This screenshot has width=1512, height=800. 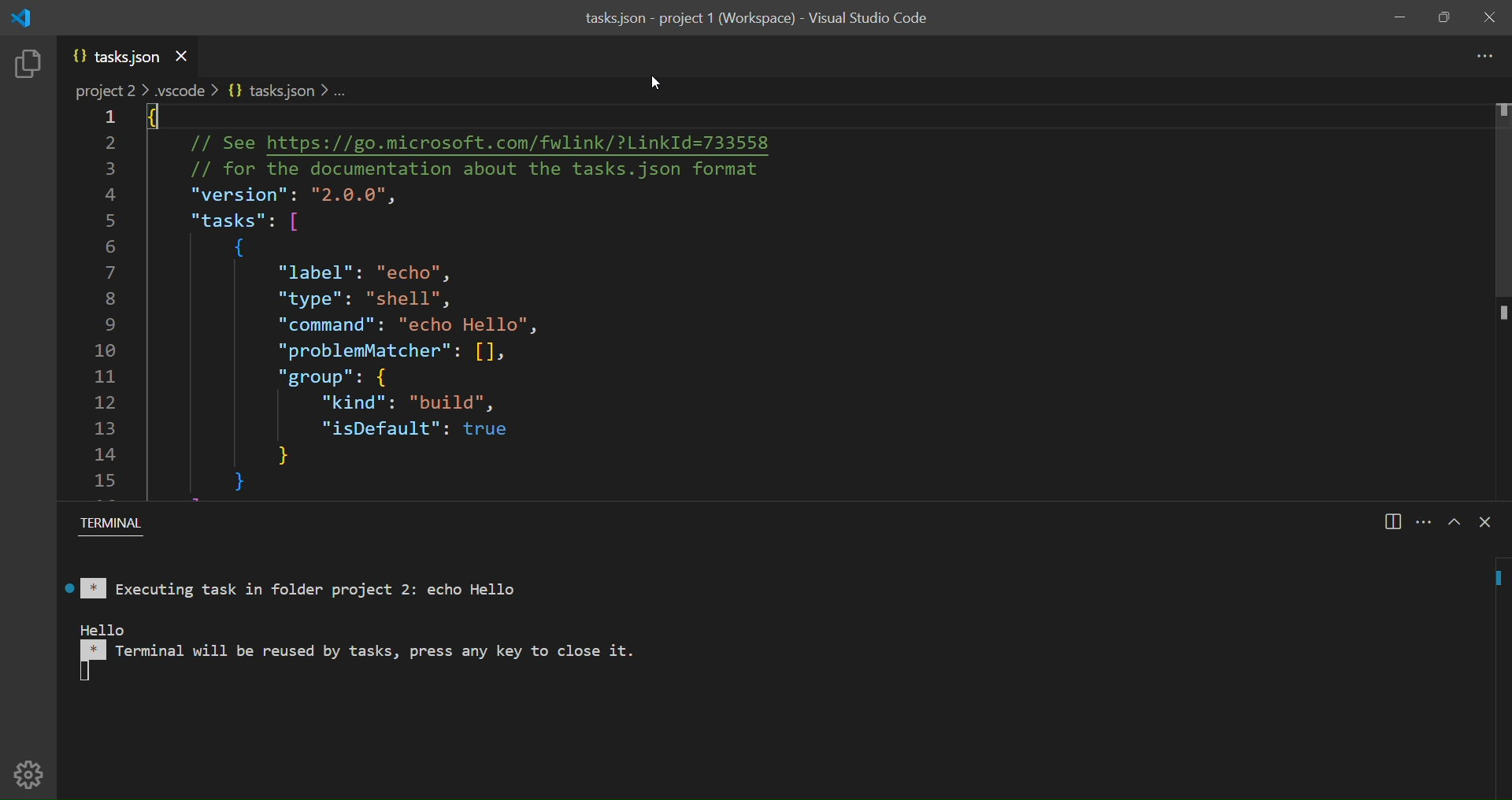 What do you see at coordinates (104, 528) in the screenshot?
I see `Terminal` at bounding box center [104, 528].